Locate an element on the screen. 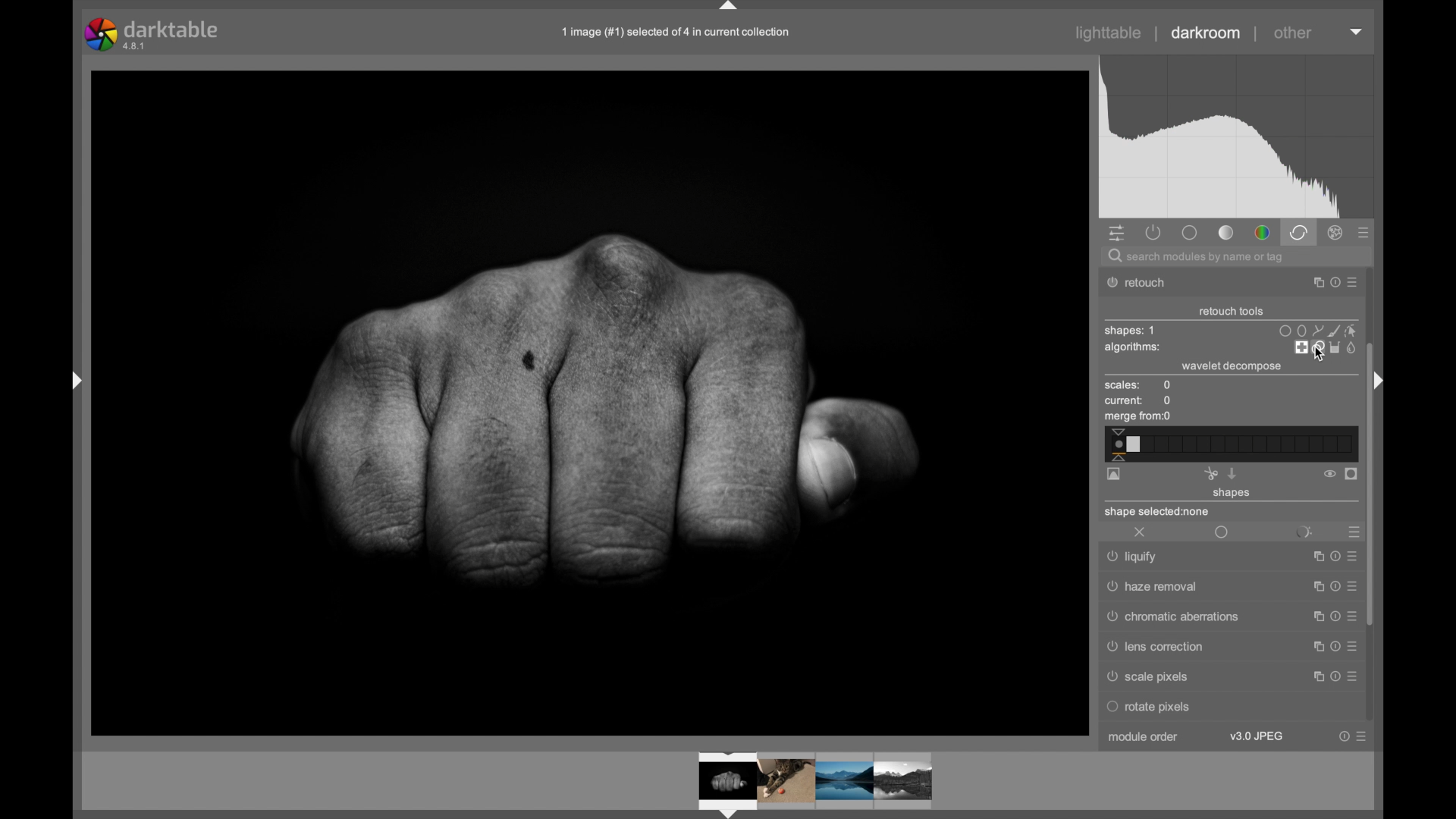  other is located at coordinates (1293, 33).